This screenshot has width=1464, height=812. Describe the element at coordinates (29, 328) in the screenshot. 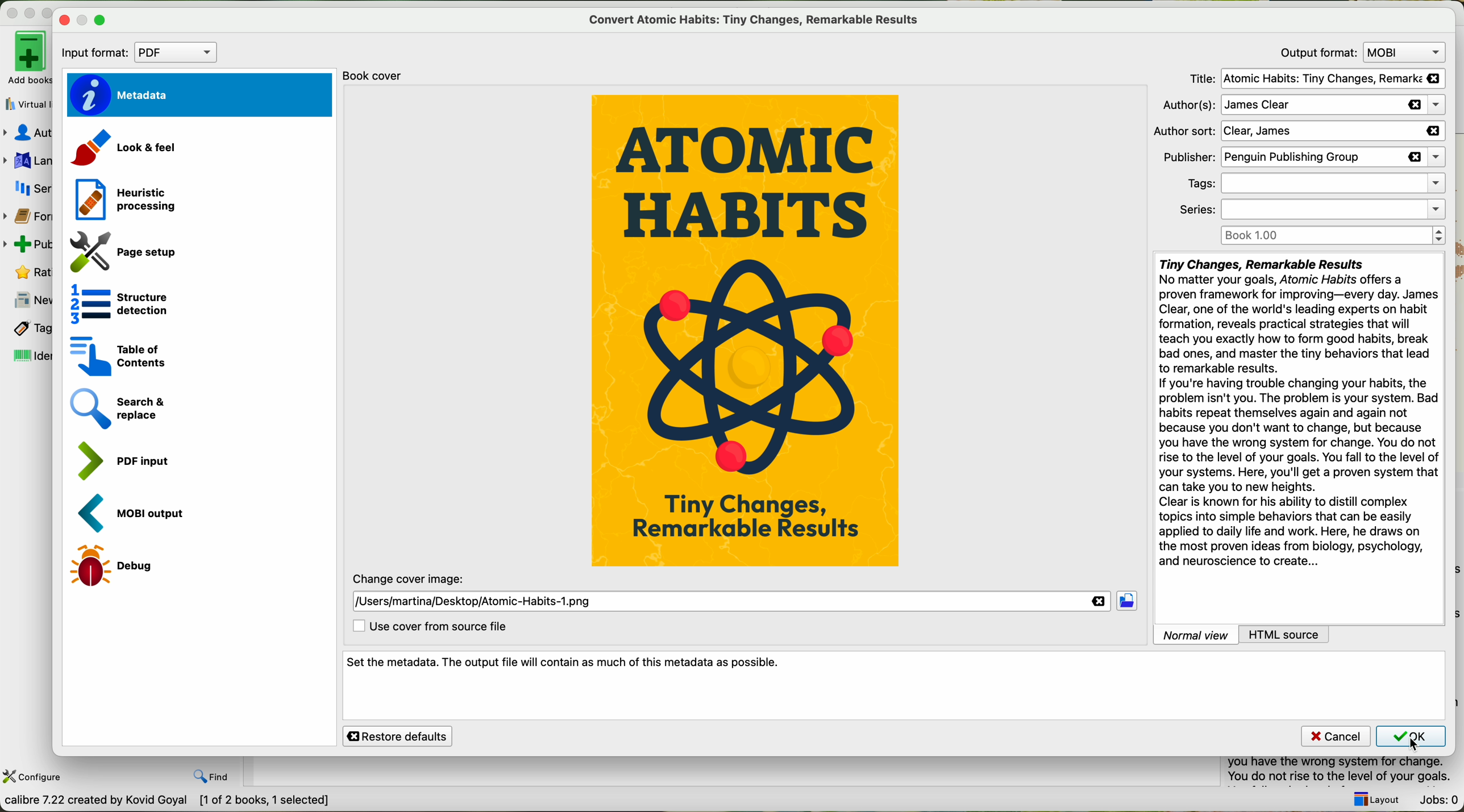

I see `tags` at that location.